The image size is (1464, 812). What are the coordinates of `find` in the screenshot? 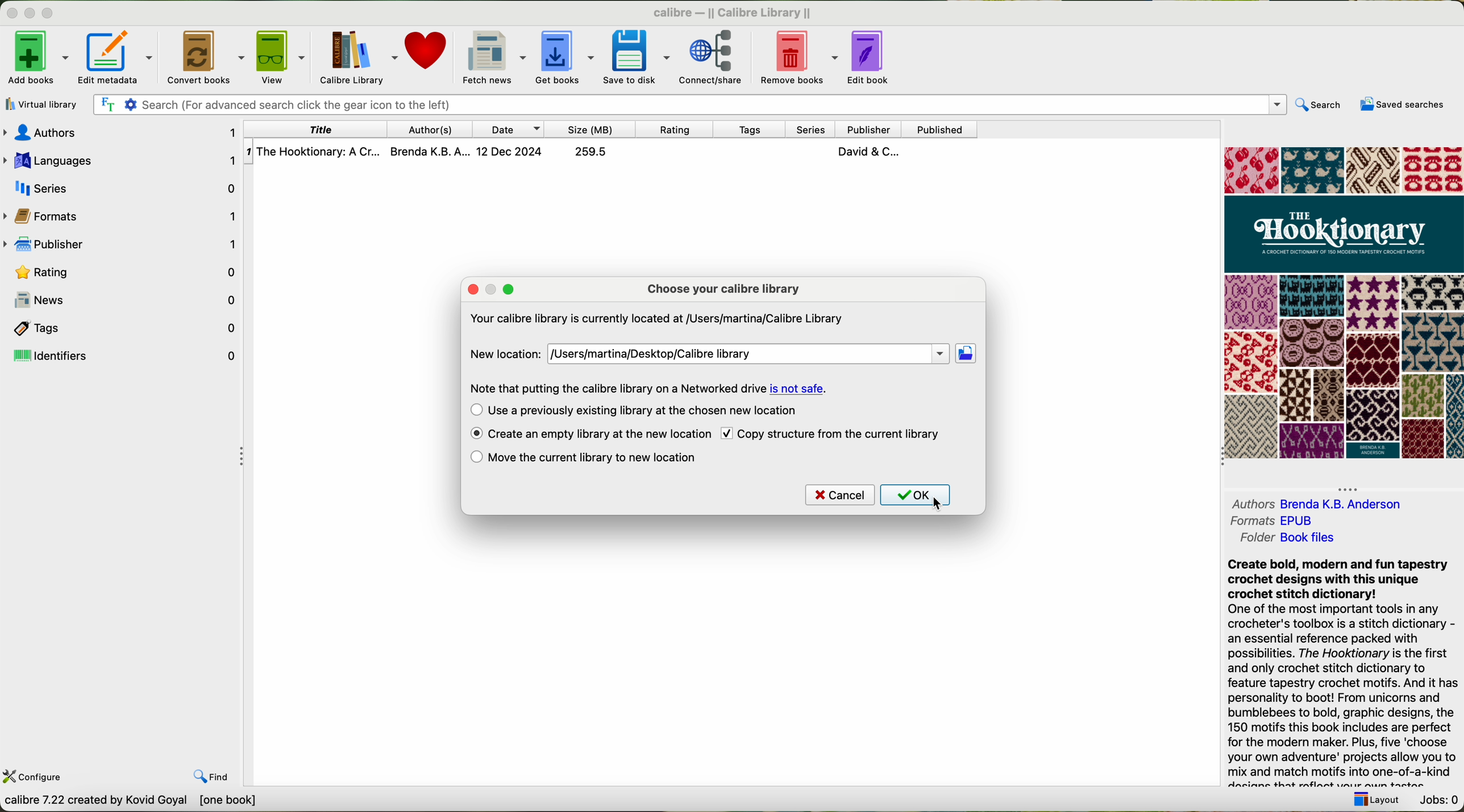 It's located at (210, 776).